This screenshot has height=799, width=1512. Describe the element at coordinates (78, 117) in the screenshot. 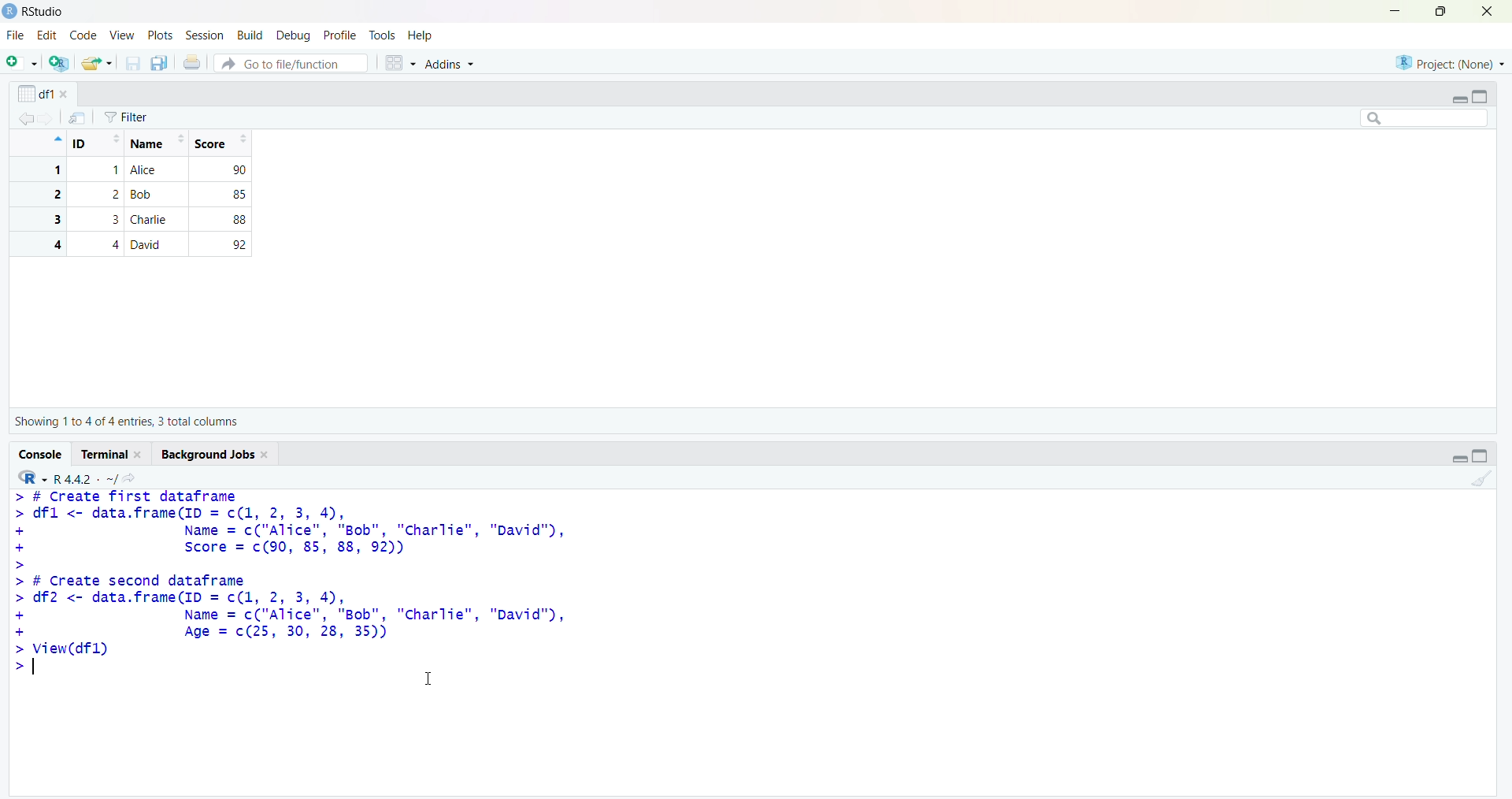

I see `send` at that location.